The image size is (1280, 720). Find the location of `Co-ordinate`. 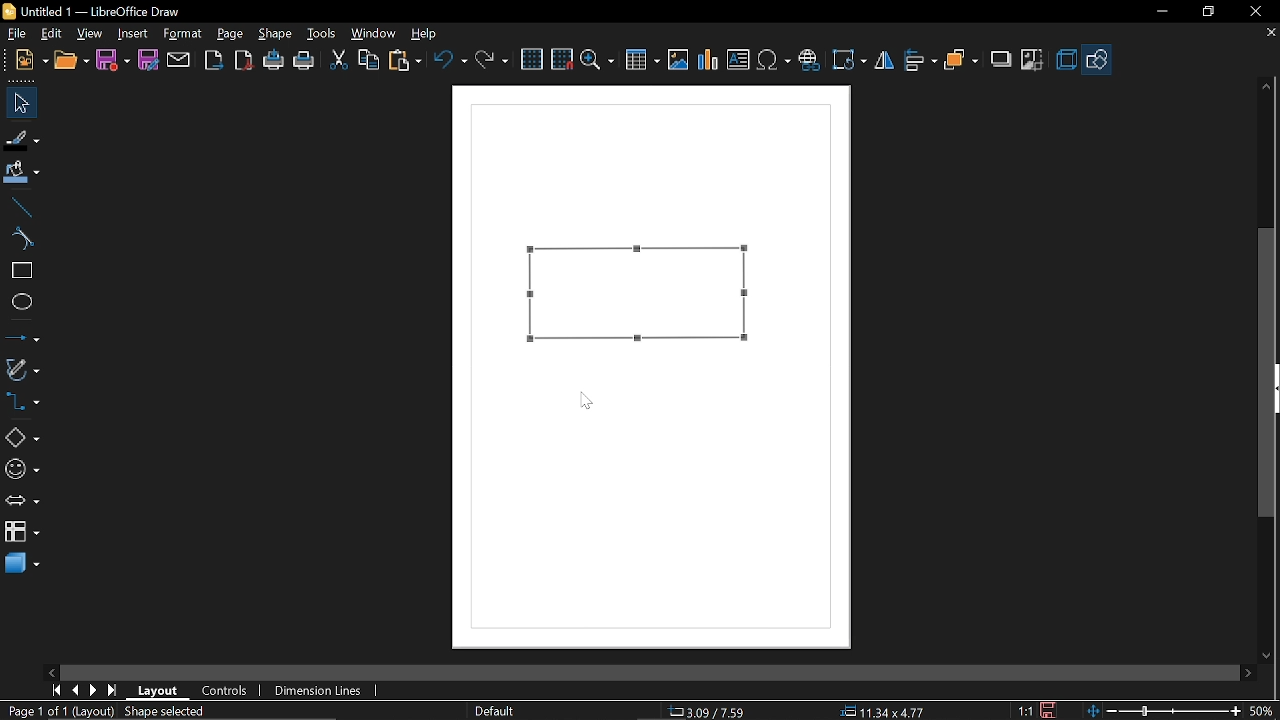

Co-ordinate is located at coordinates (712, 710).